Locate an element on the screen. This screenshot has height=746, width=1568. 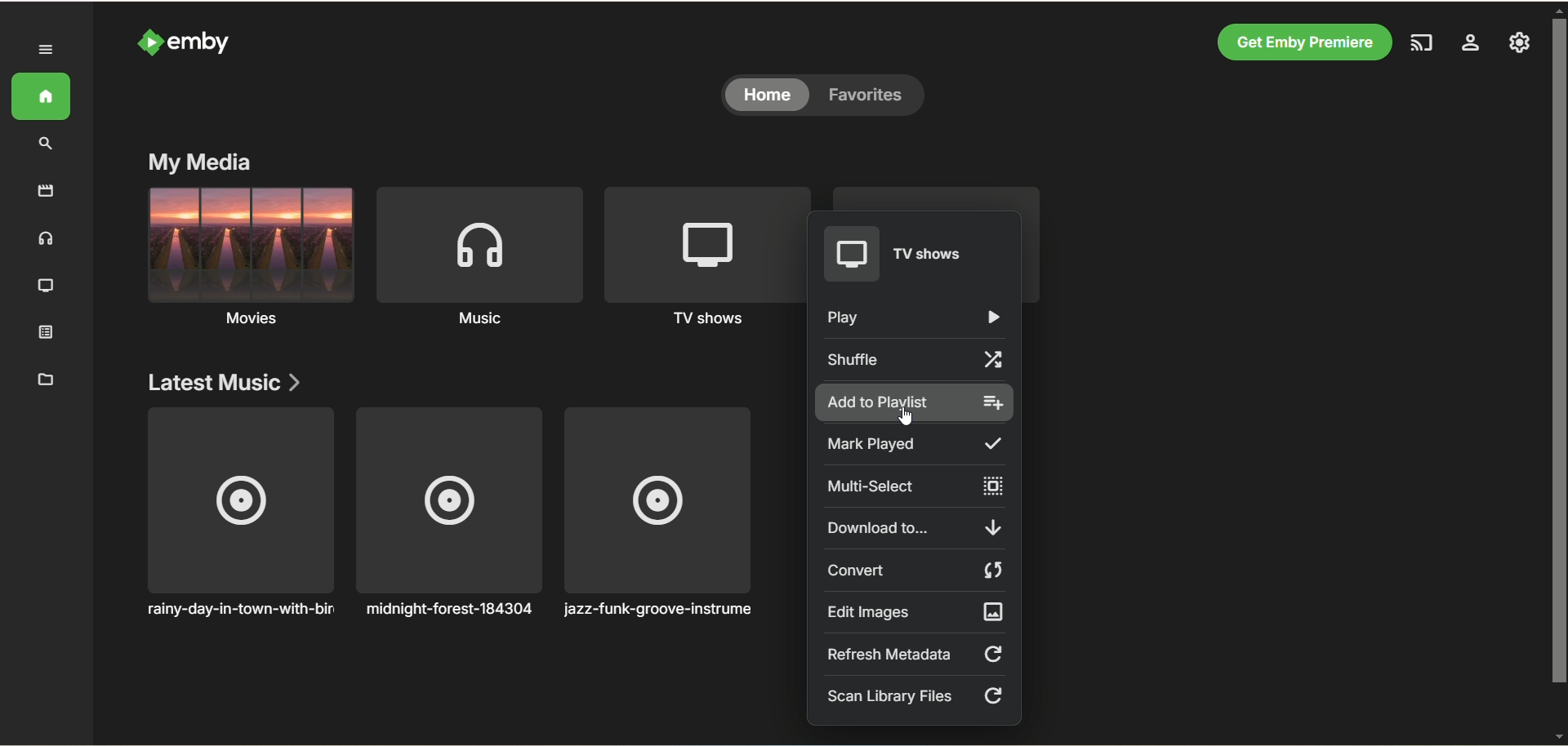
TV shows is located at coordinates (699, 254).